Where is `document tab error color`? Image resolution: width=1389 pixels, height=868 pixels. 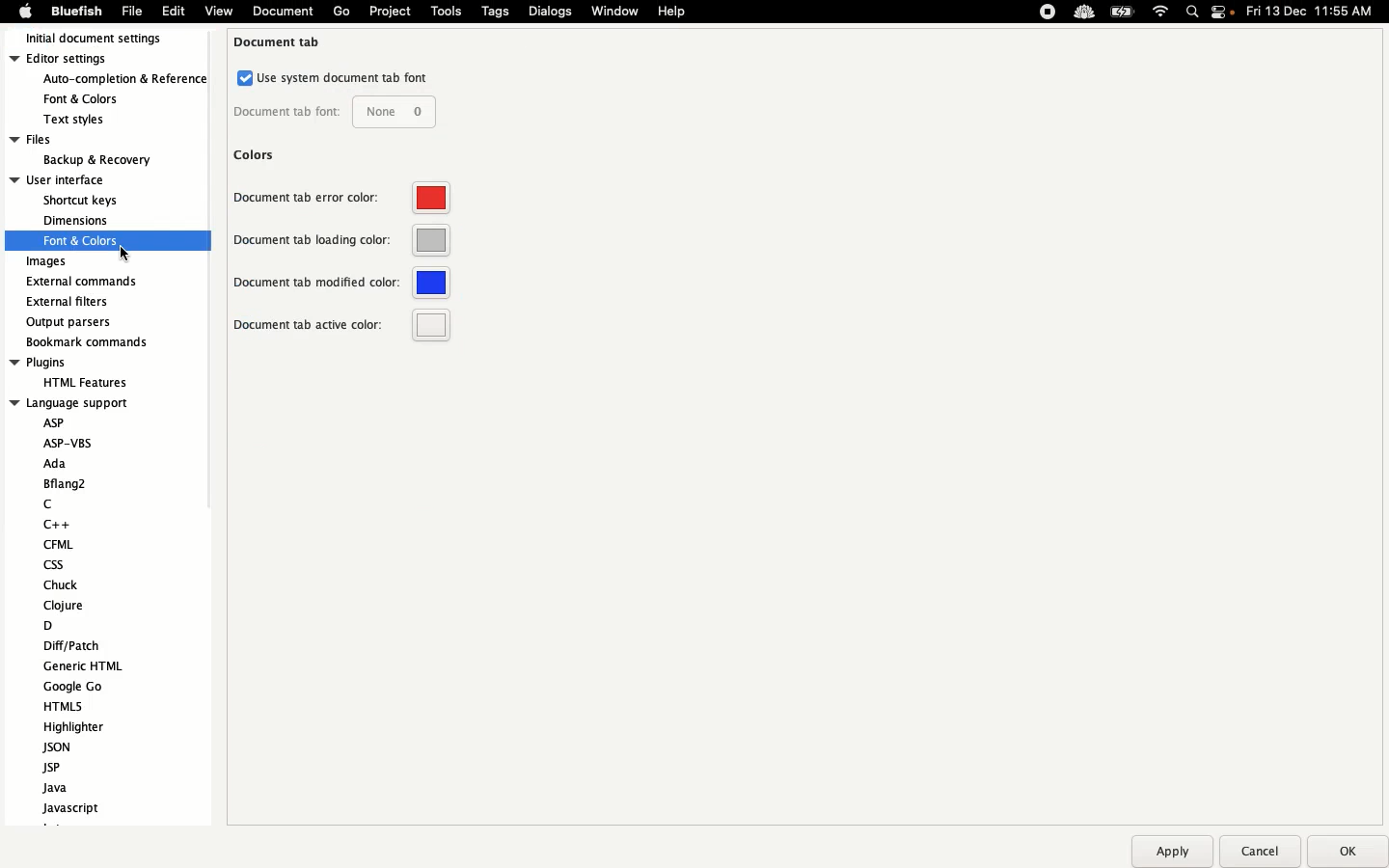 document tab error color is located at coordinates (307, 197).